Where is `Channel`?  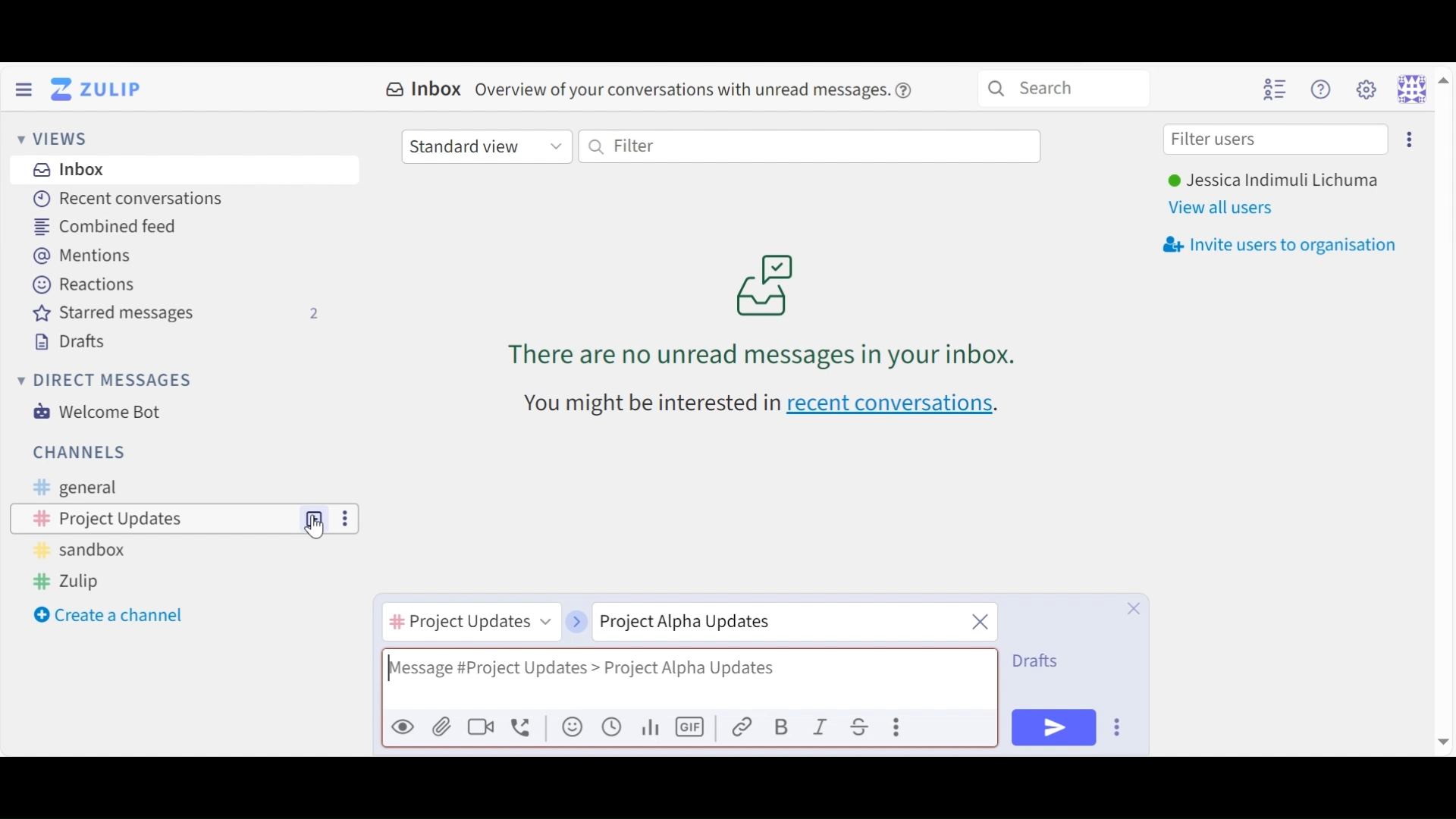
Channel is located at coordinates (155, 518).